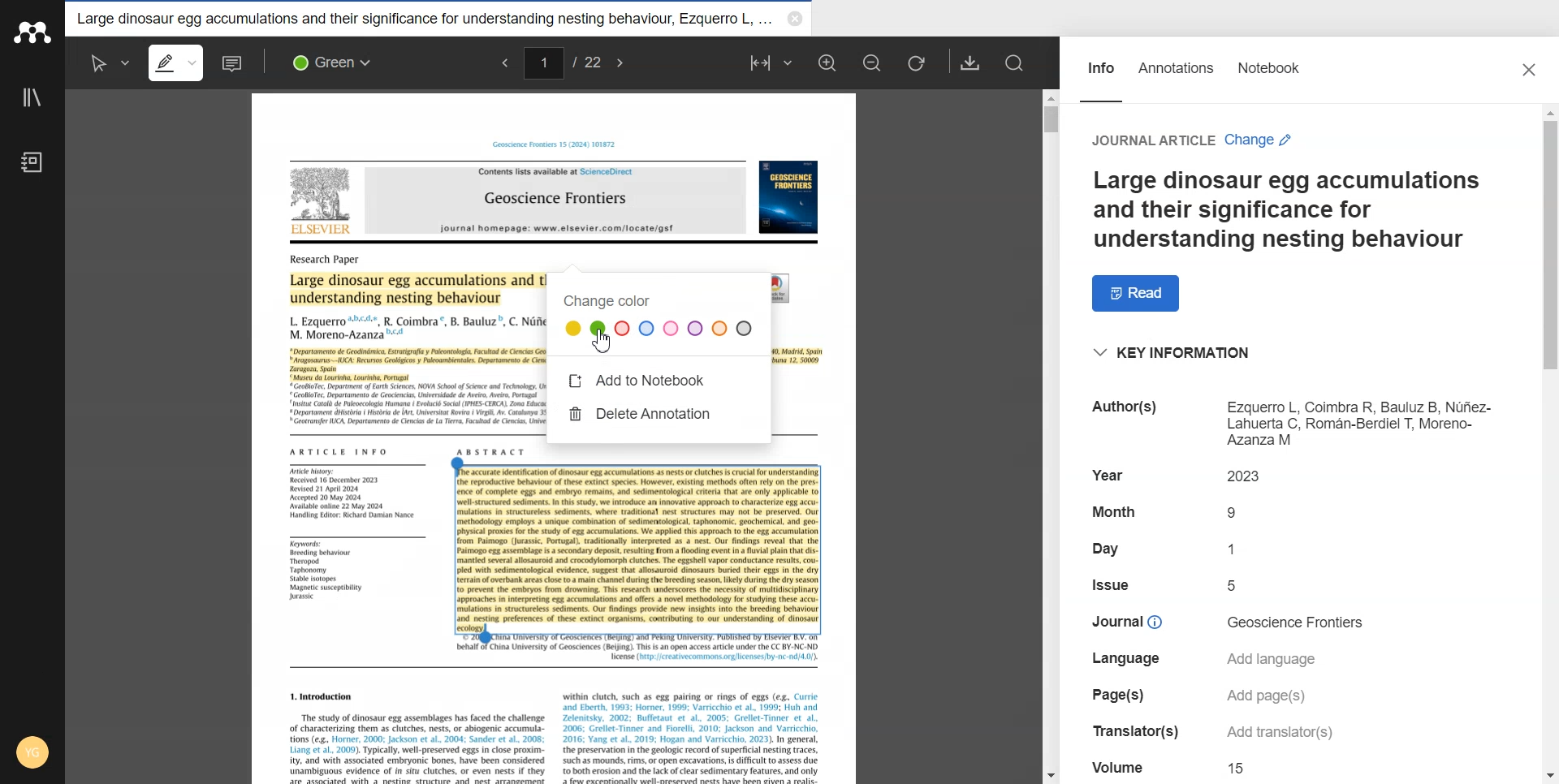 This screenshot has height=784, width=1559. I want to click on Info, so click(1100, 76).